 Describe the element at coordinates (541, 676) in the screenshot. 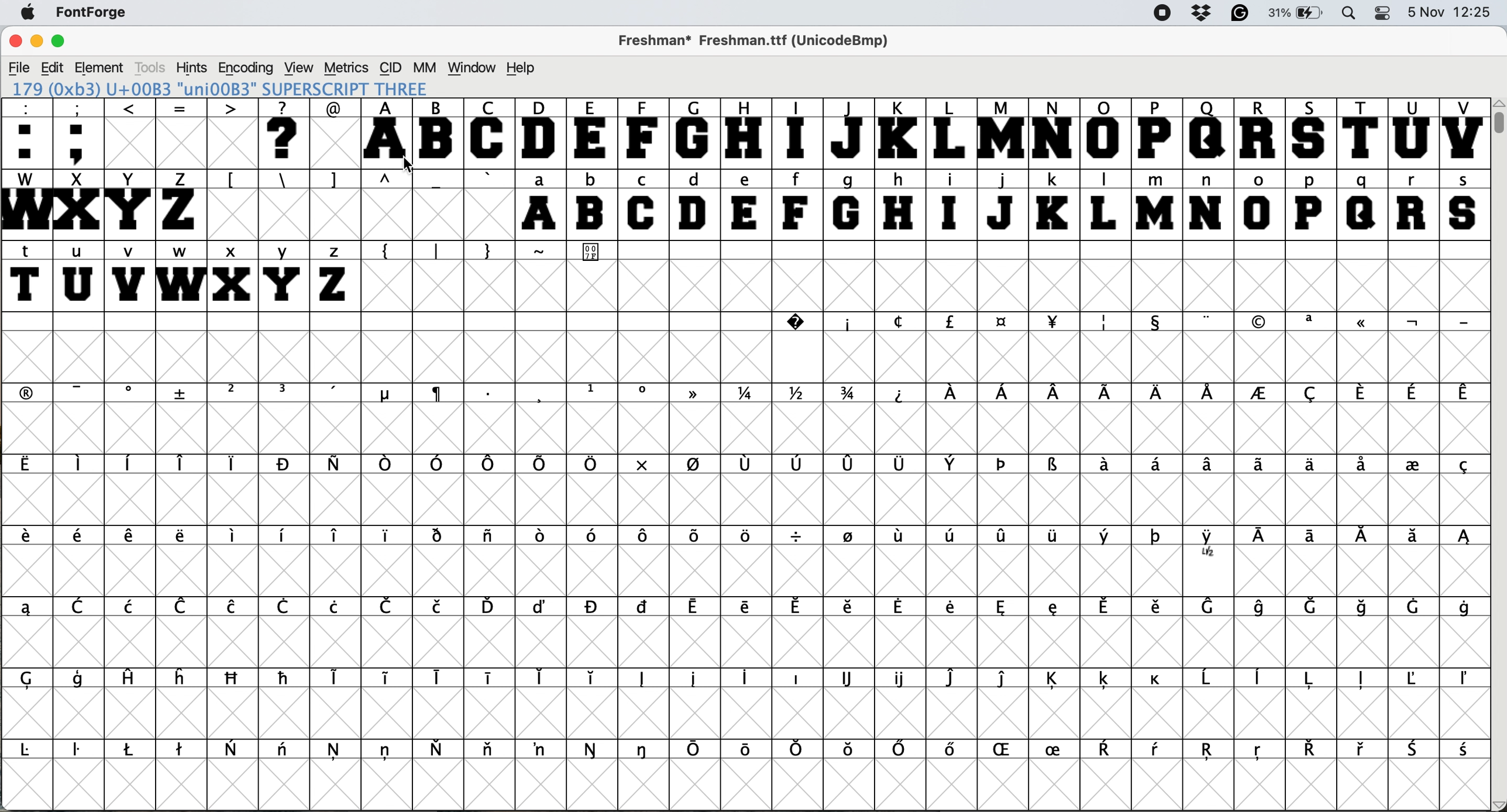

I see `symbol` at that location.